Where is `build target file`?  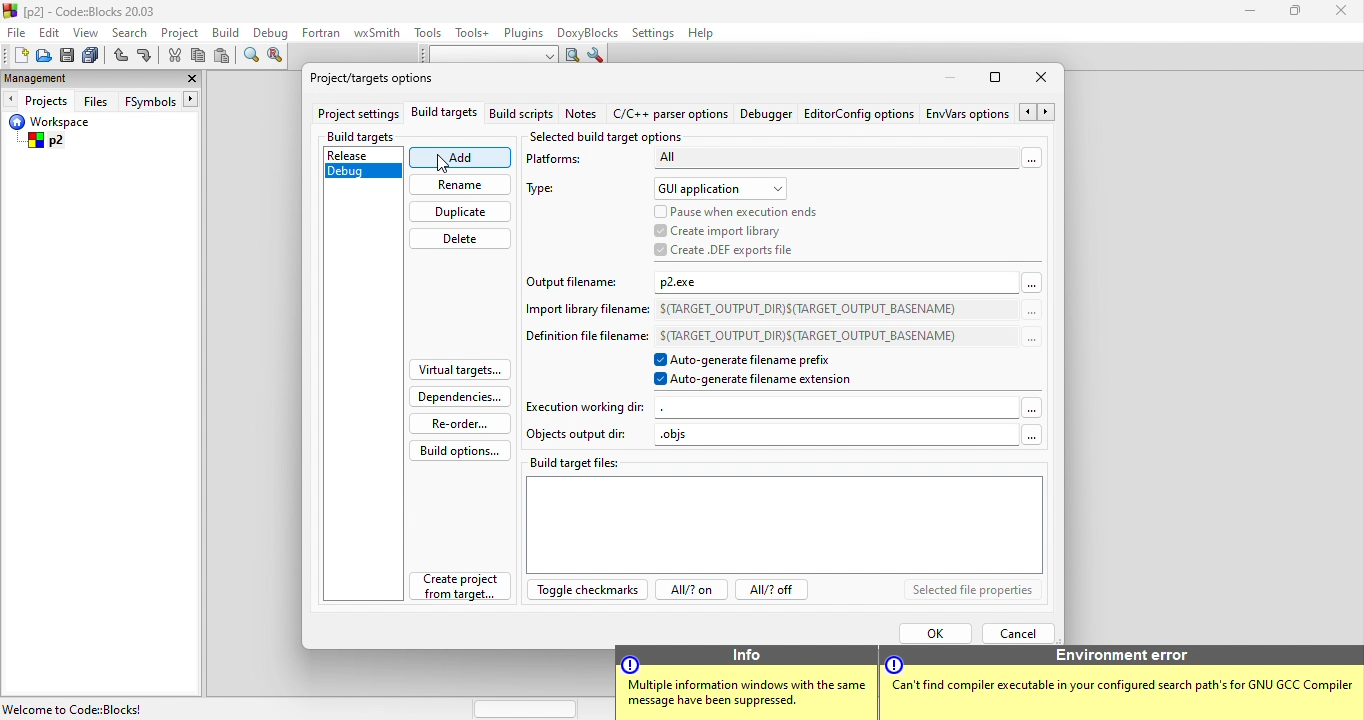
build target file is located at coordinates (782, 516).